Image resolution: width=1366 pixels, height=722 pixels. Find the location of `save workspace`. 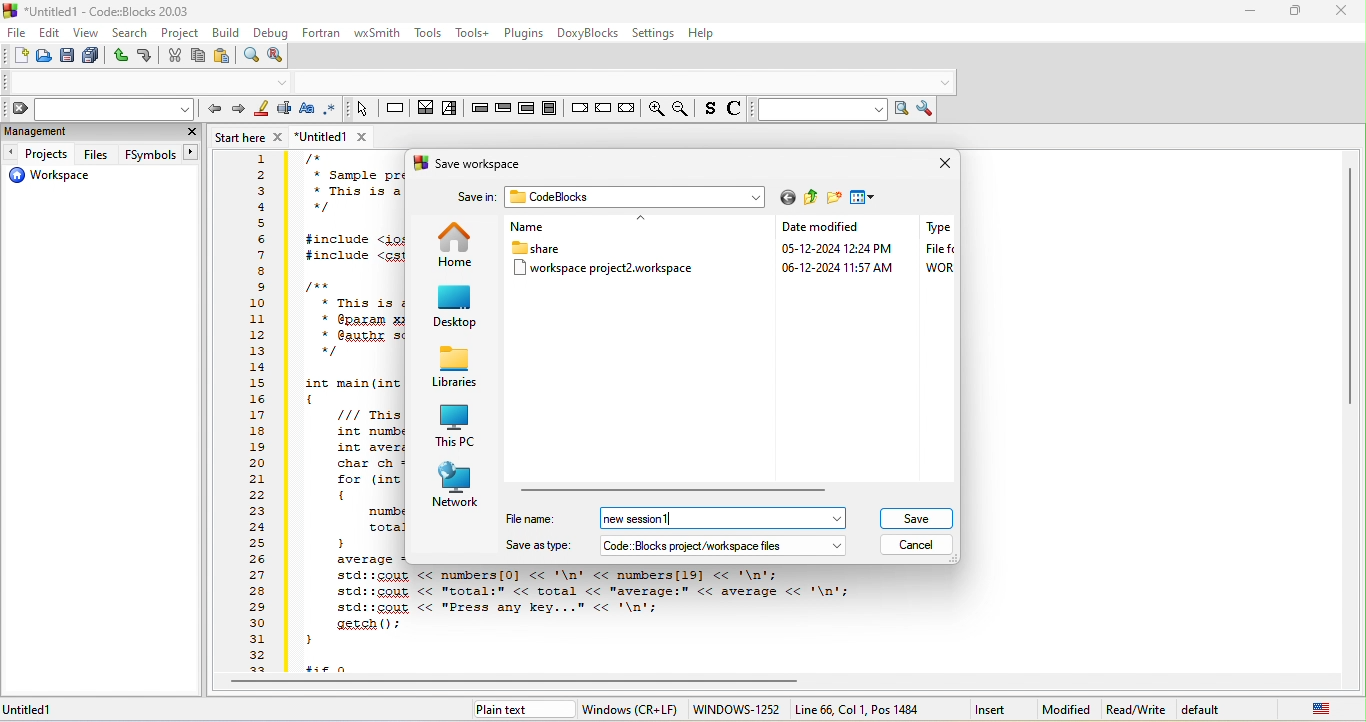

save workspace is located at coordinates (472, 166).